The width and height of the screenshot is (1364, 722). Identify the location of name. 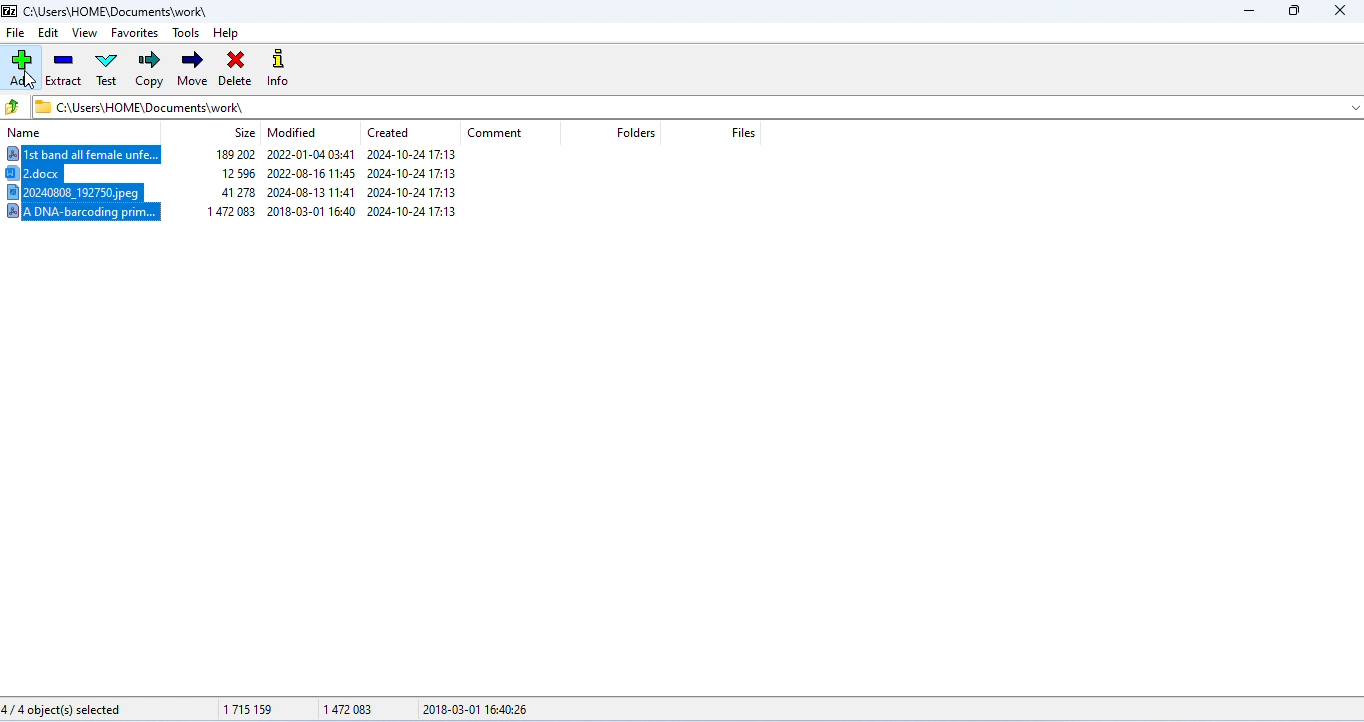
(26, 134).